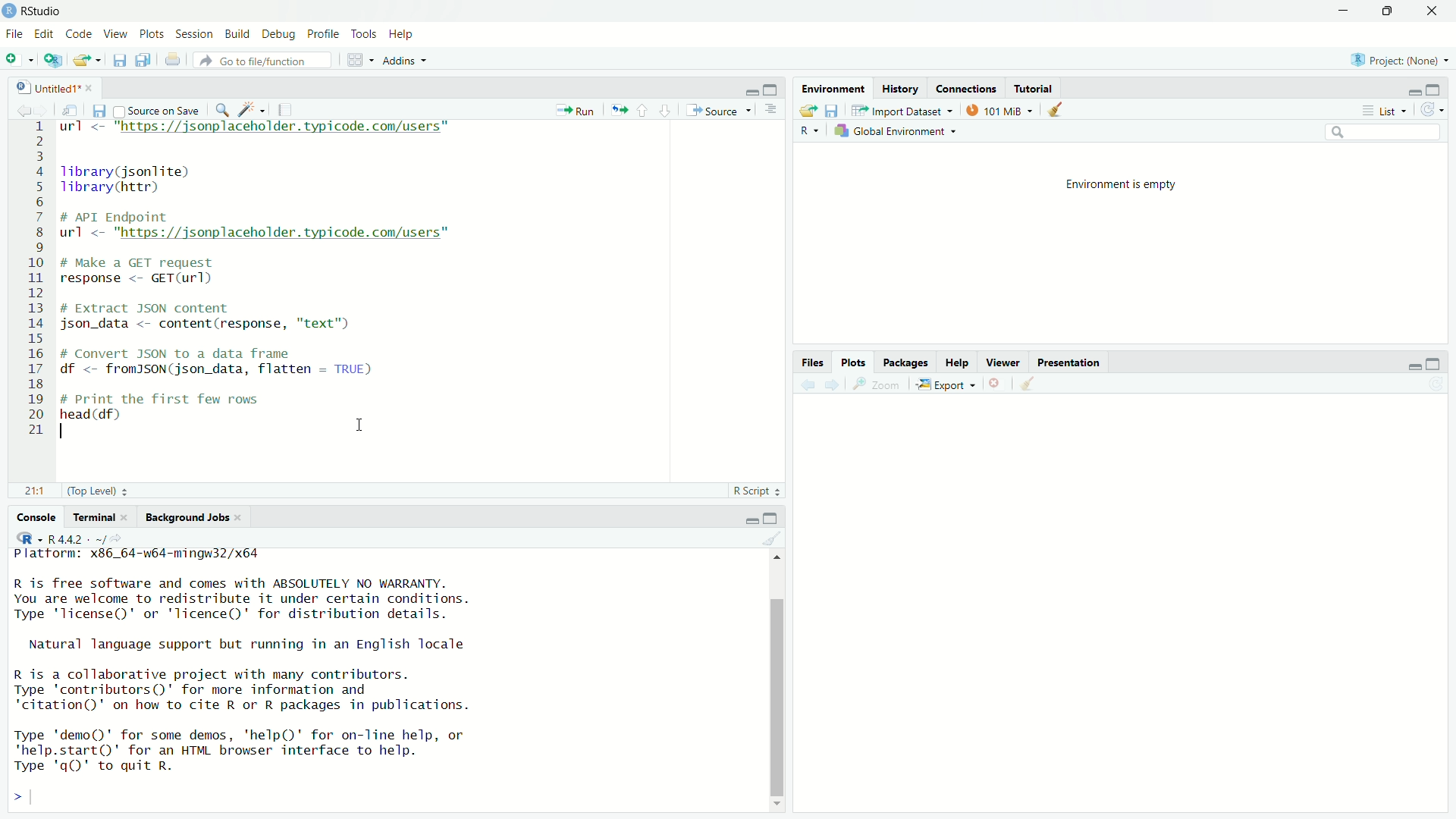 The height and width of the screenshot is (819, 1456). I want to click on Maximize, so click(1434, 89).